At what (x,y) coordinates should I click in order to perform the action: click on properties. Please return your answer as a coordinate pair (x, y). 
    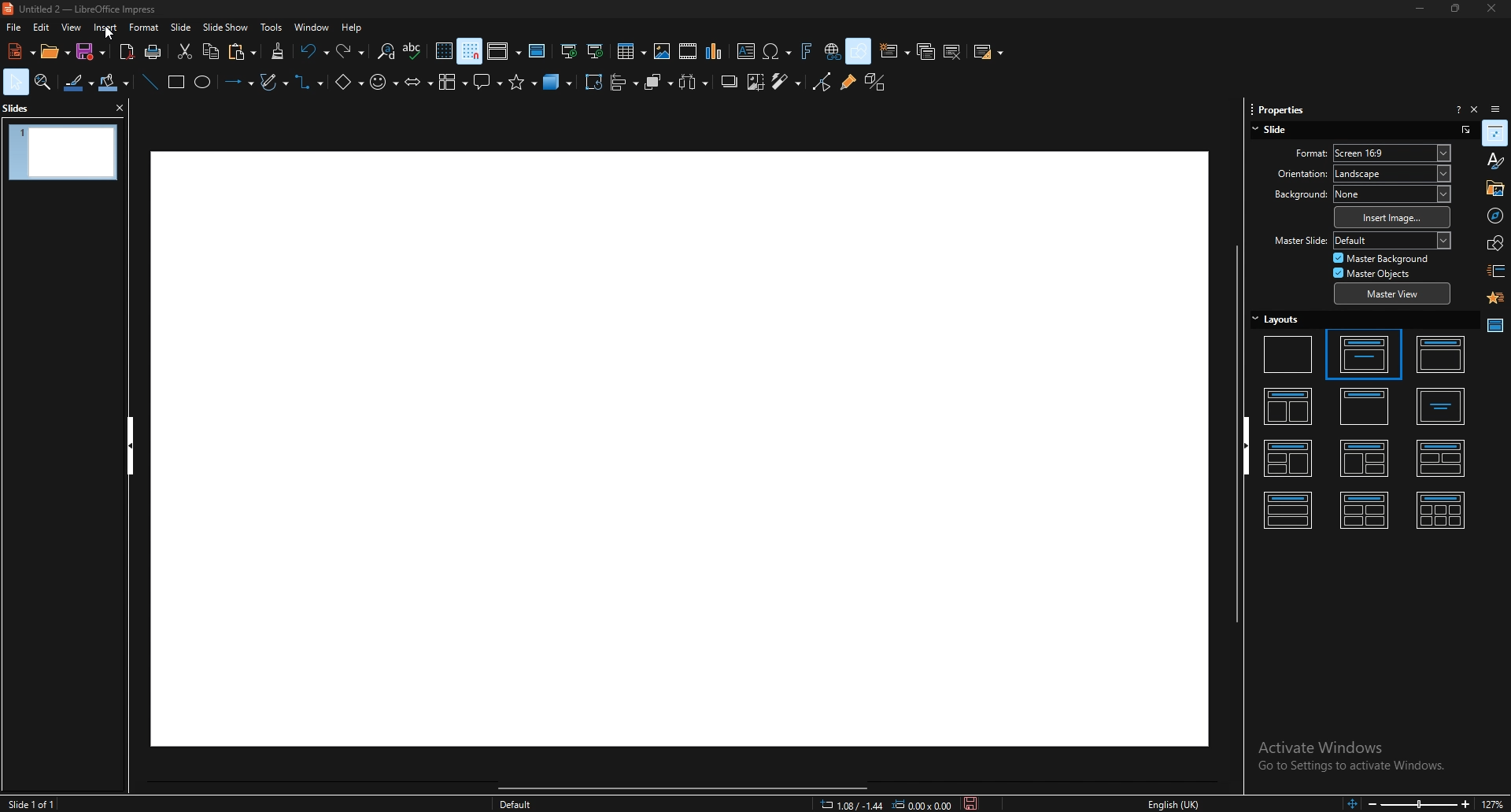
    Looking at the image, I should click on (1495, 133).